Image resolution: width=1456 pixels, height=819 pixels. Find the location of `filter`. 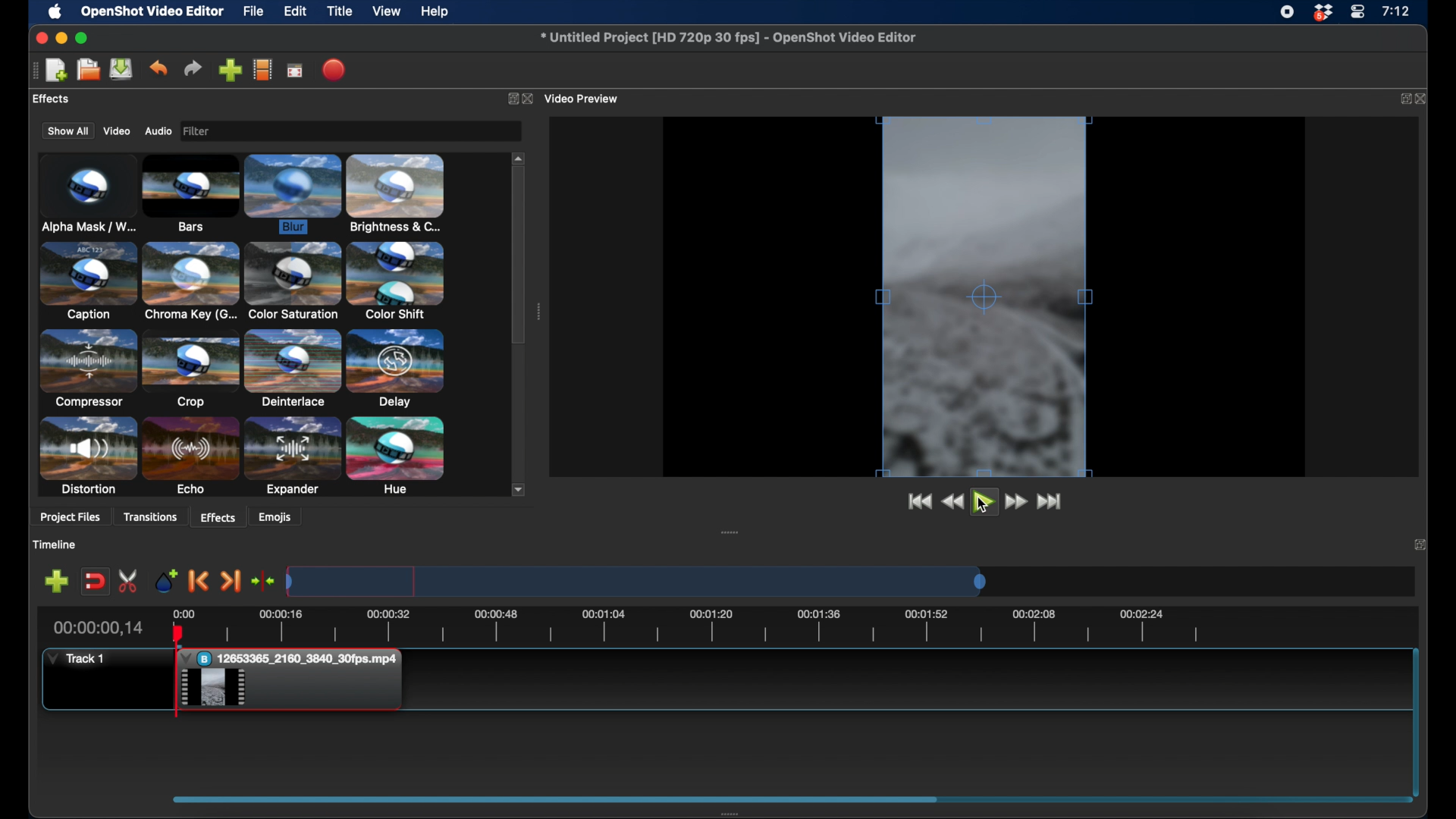

filter is located at coordinates (243, 131).